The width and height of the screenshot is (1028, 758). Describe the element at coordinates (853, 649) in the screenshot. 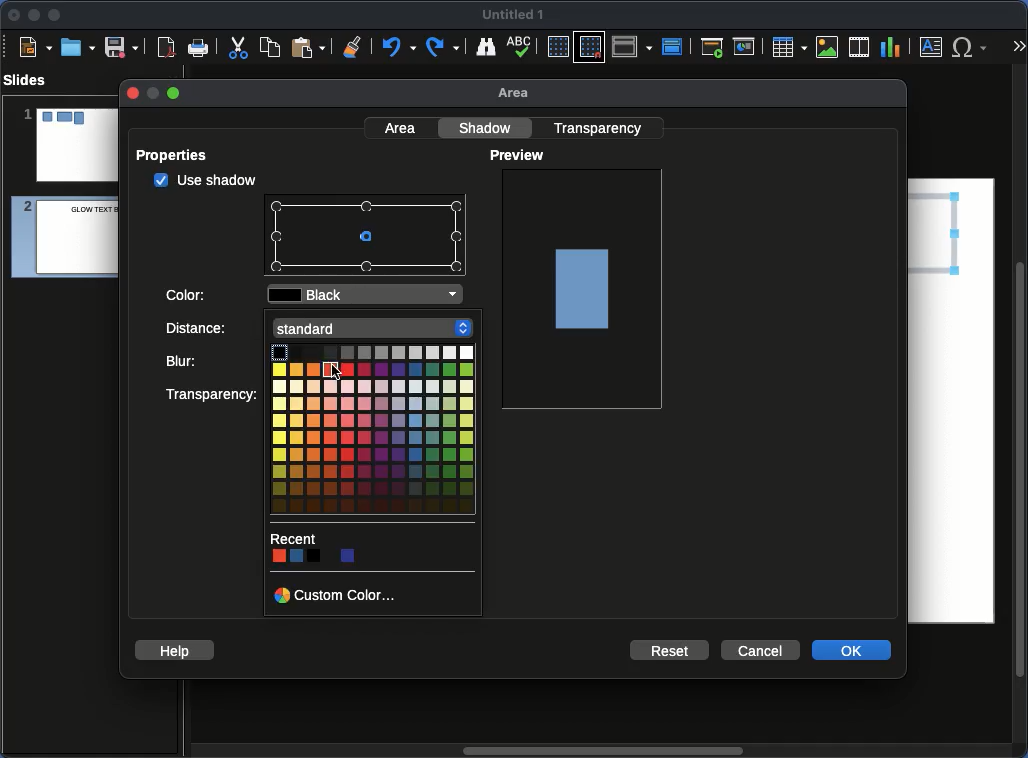

I see `OK` at that location.